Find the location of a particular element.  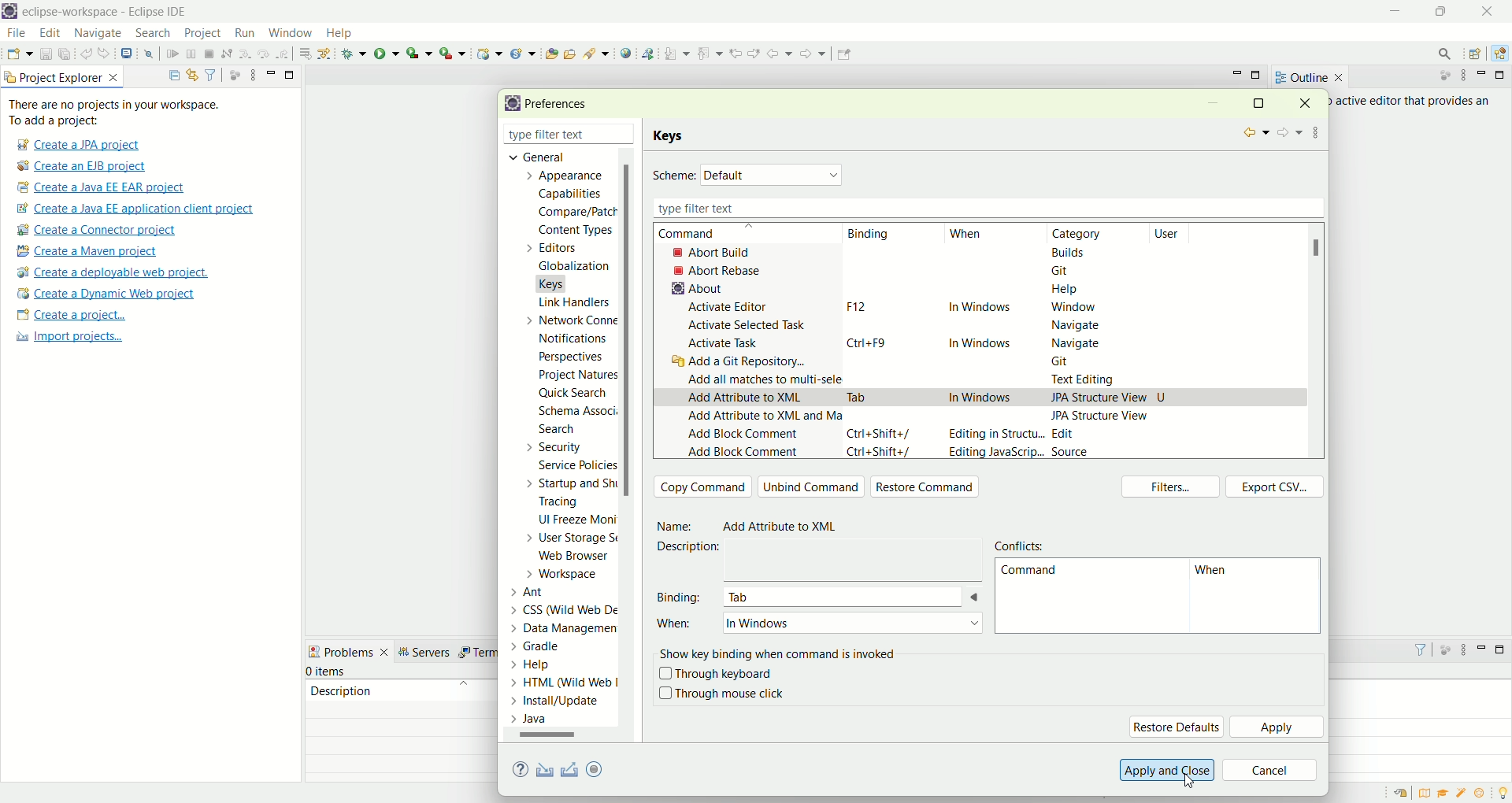

items is located at coordinates (328, 672).